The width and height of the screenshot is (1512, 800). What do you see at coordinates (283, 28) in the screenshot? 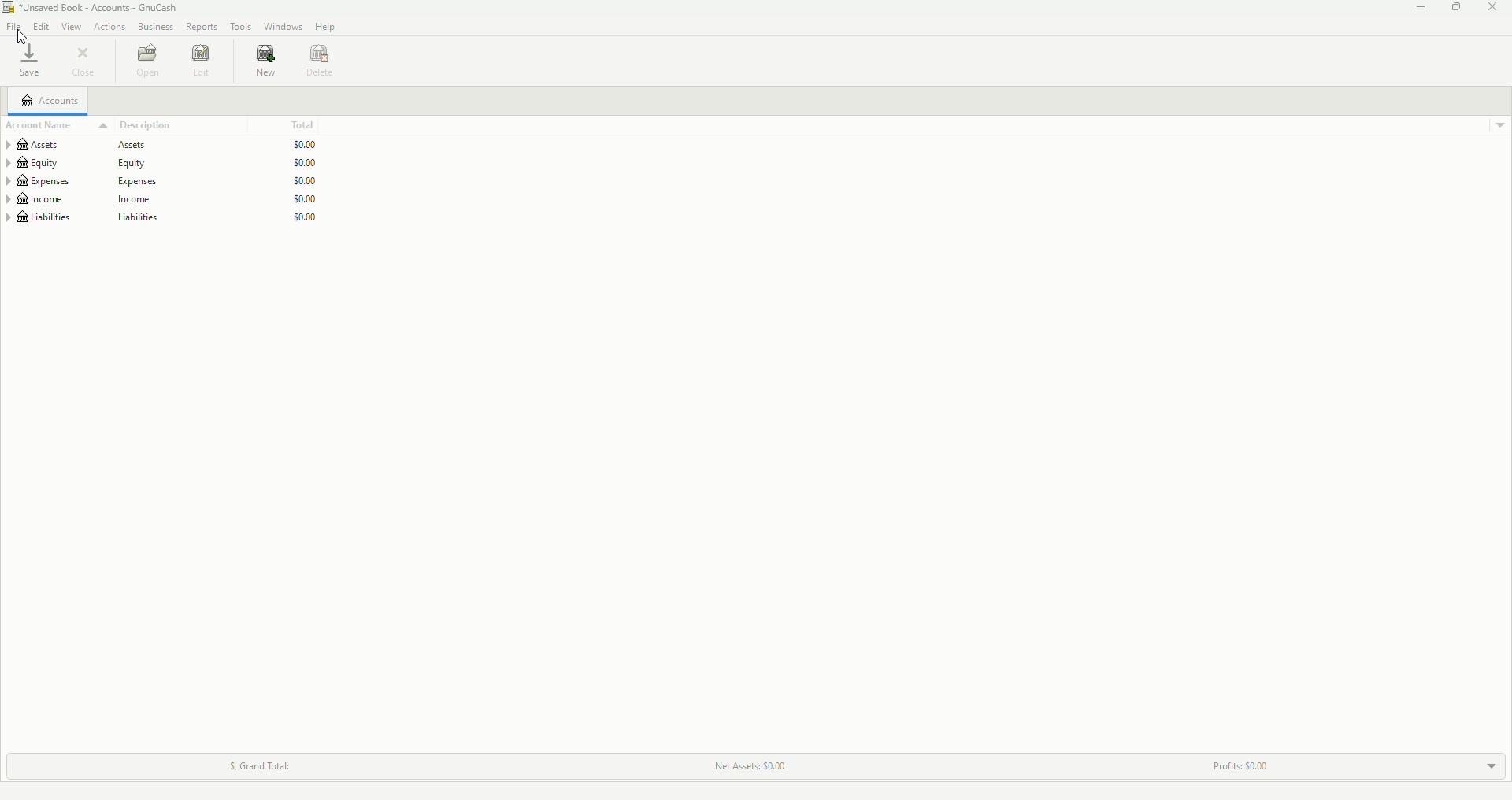
I see `Windows` at bounding box center [283, 28].